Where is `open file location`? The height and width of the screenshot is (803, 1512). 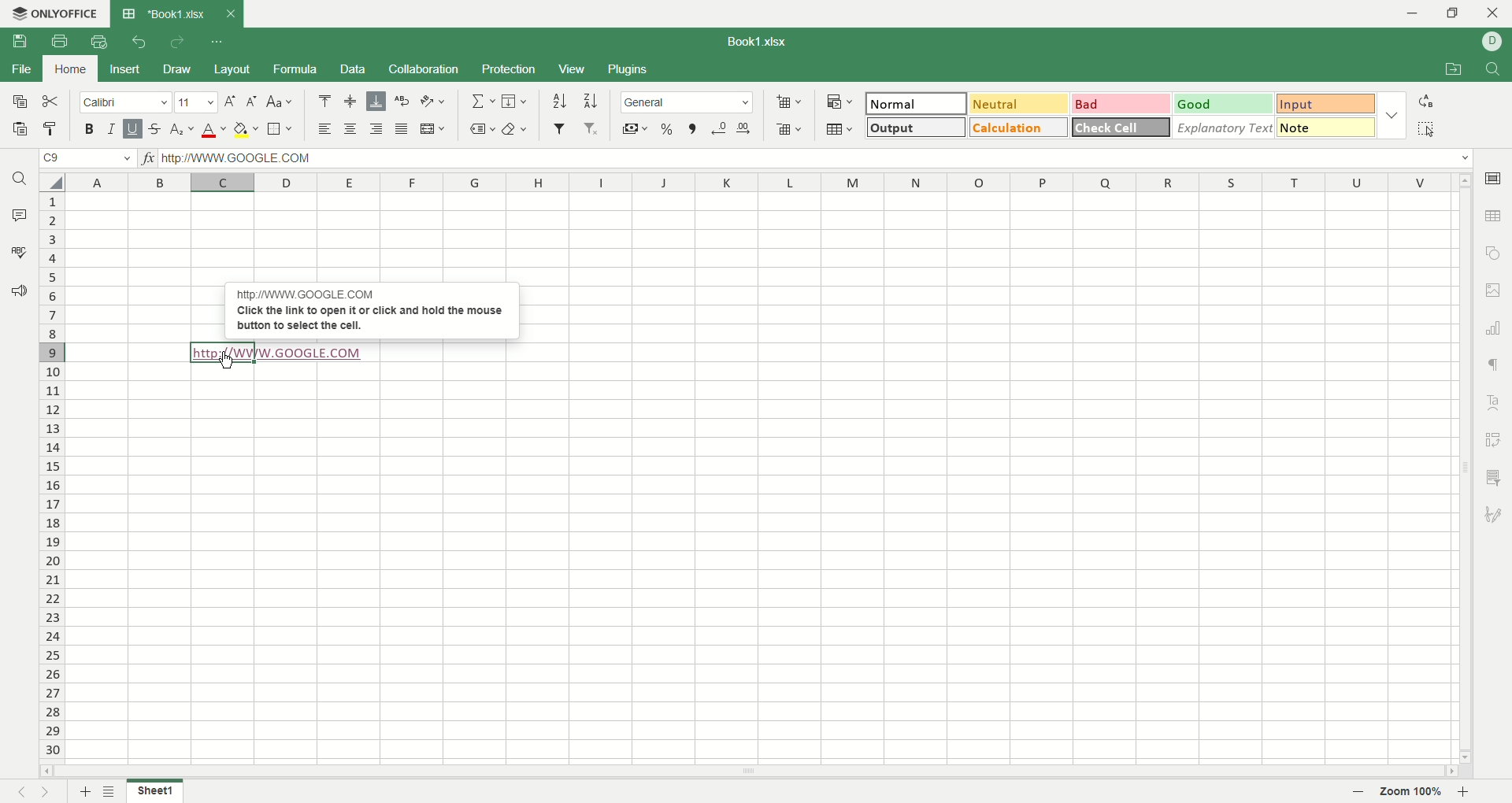
open file location is located at coordinates (1450, 71).